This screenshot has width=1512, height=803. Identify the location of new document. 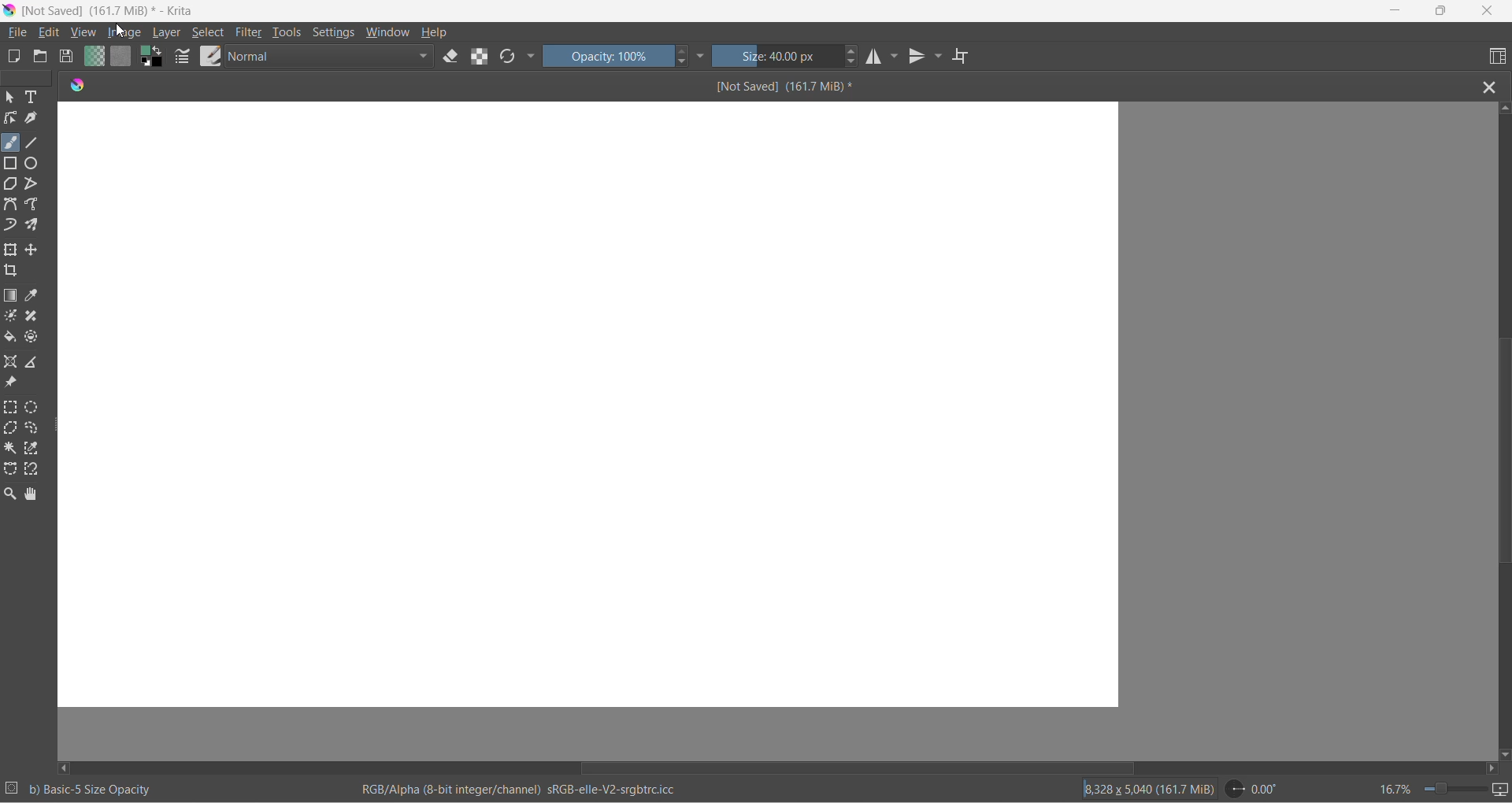
(16, 57).